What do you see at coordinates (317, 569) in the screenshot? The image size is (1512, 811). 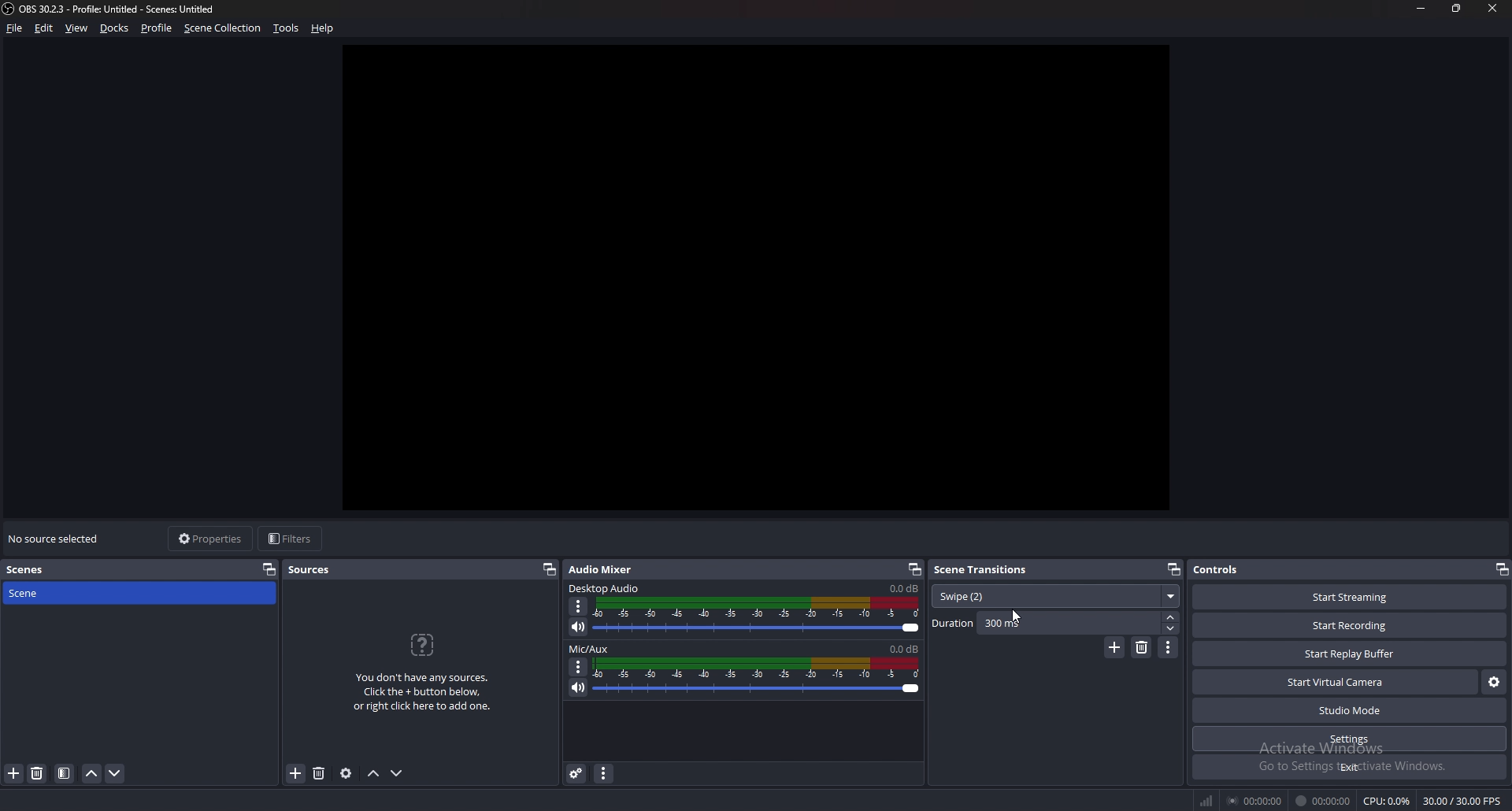 I see `sources` at bounding box center [317, 569].